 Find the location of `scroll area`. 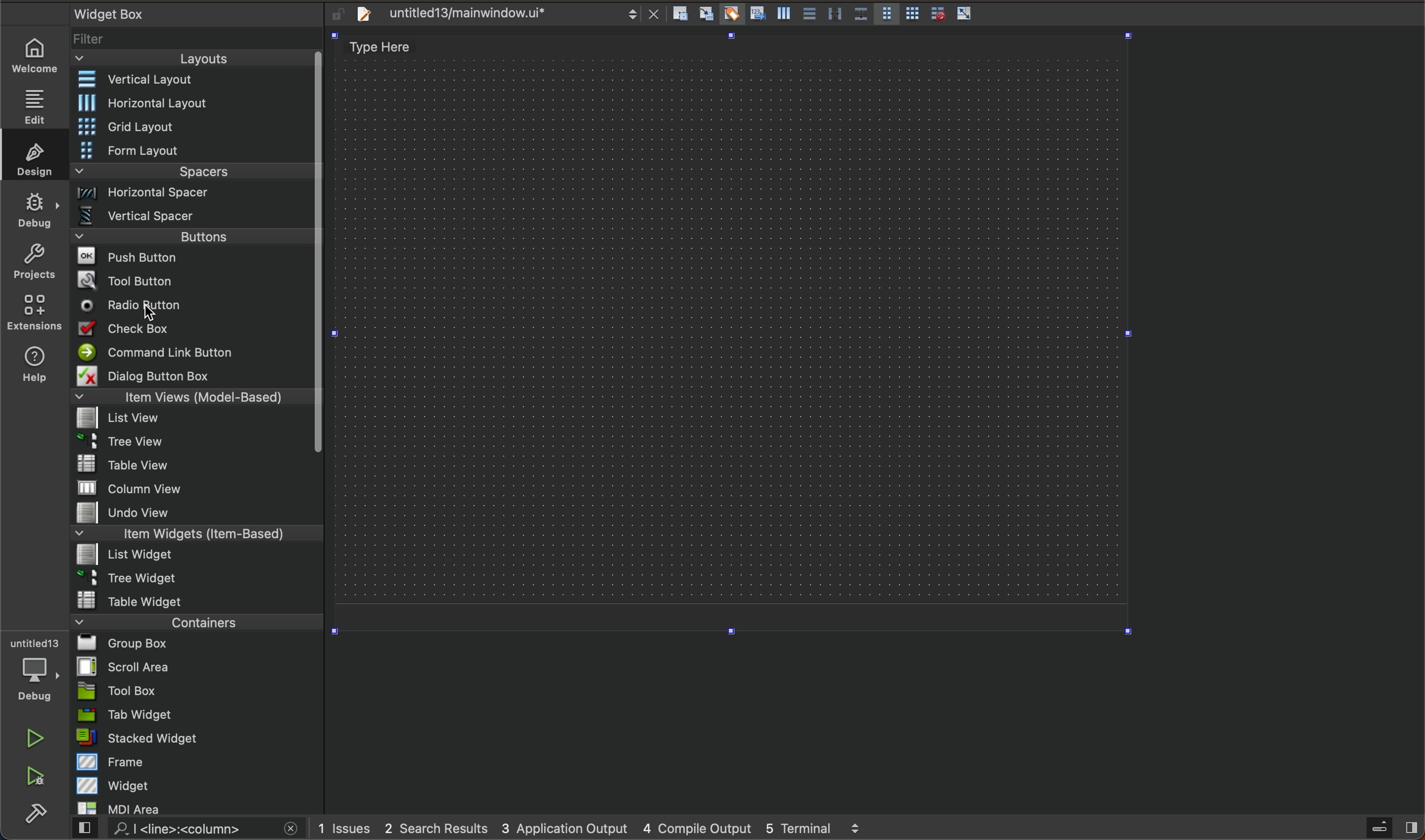

scroll area is located at coordinates (197, 666).